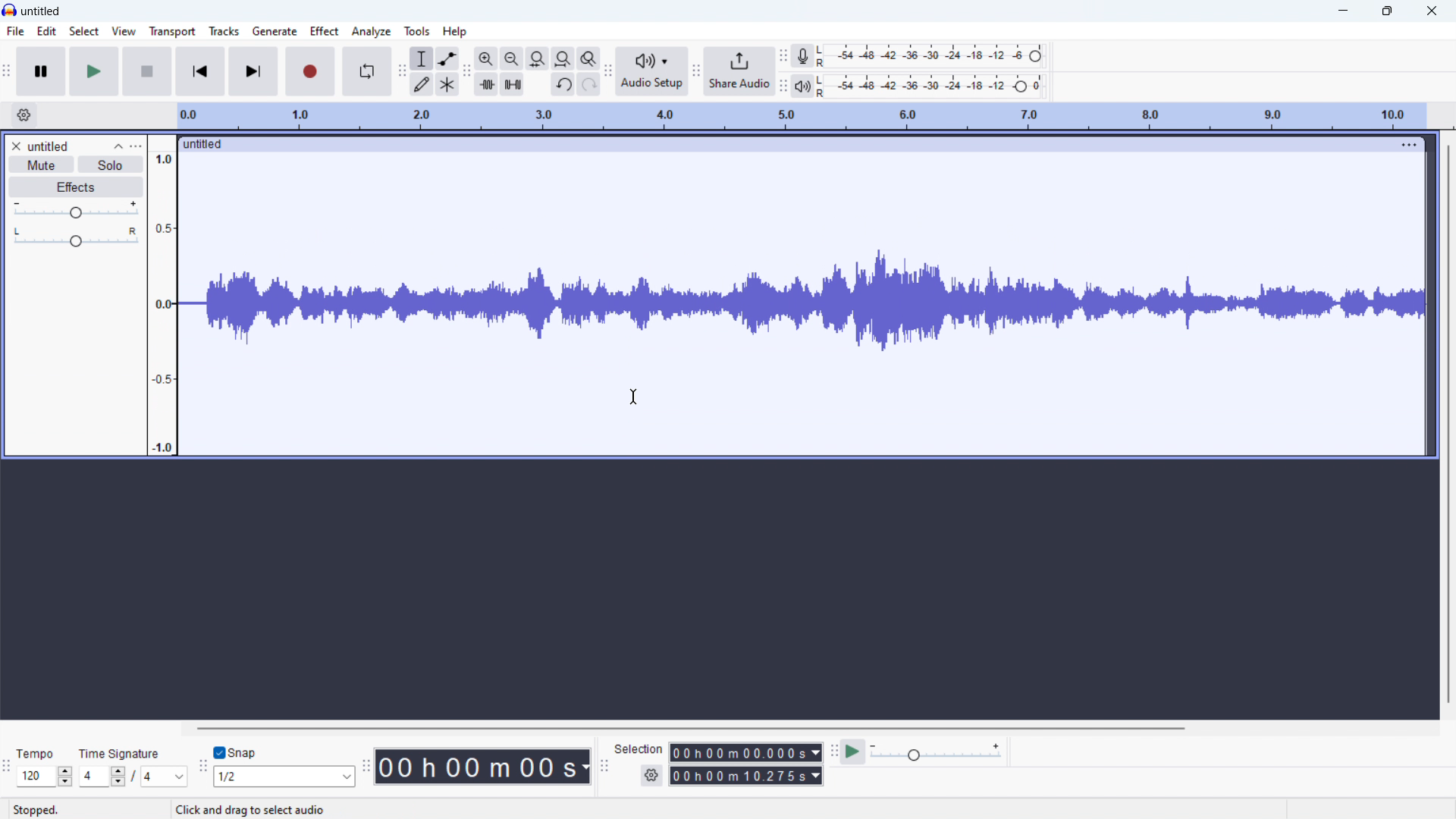 The width and height of the screenshot is (1456, 819). I want to click on analyze, so click(372, 32).